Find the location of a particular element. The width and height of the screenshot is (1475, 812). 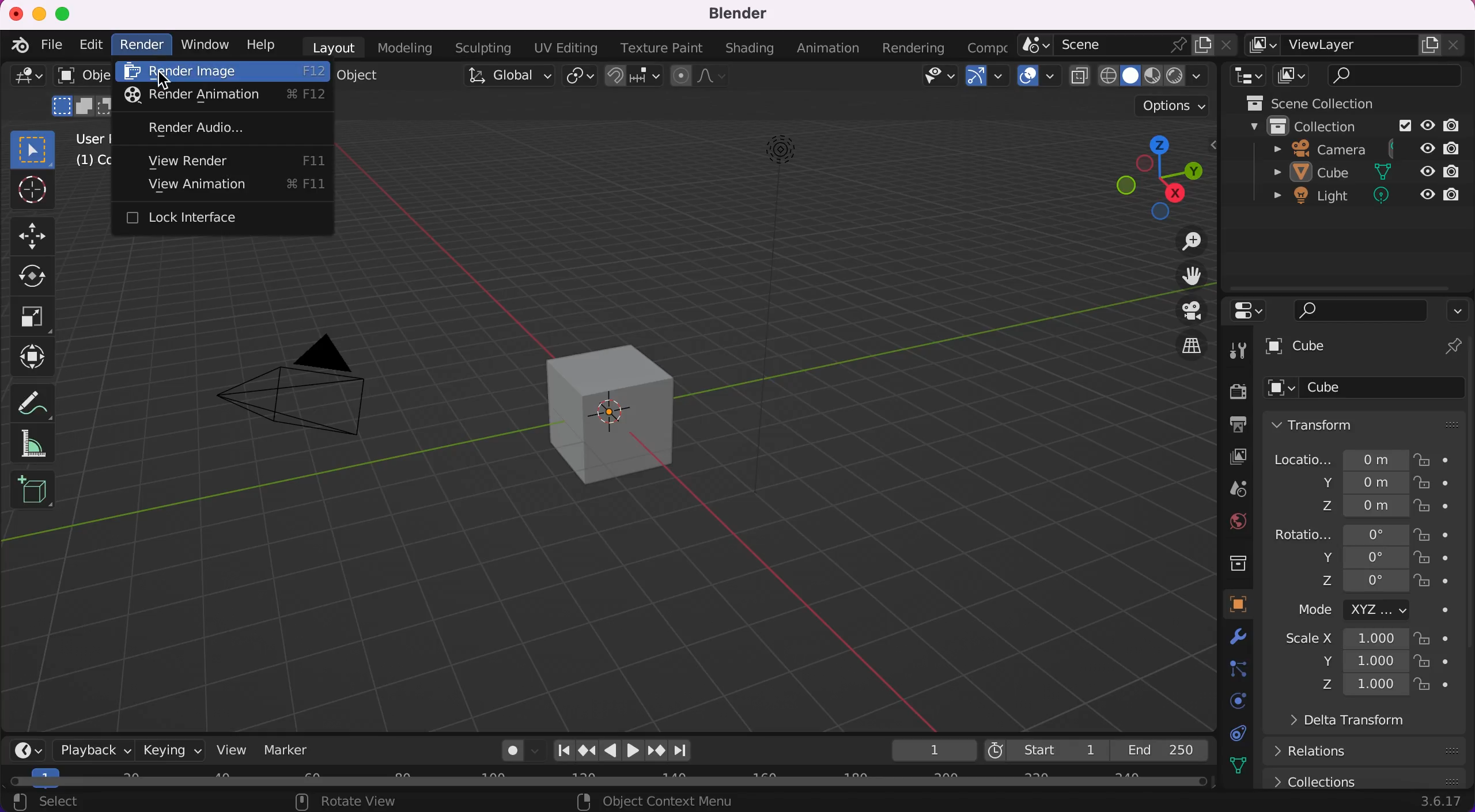

autokeying is located at coordinates (502, 751).